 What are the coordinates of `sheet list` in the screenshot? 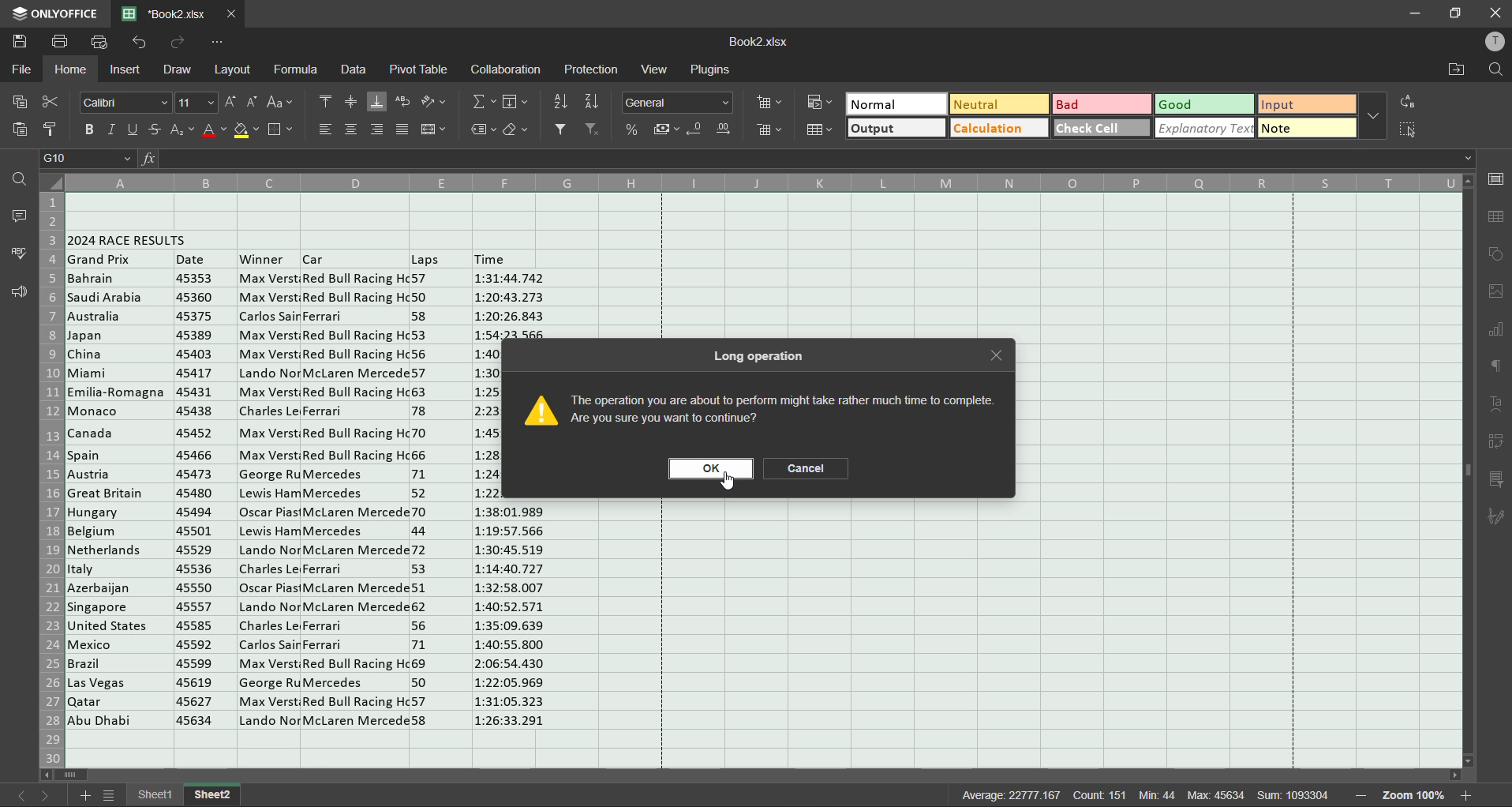 It's located at (110, 796).